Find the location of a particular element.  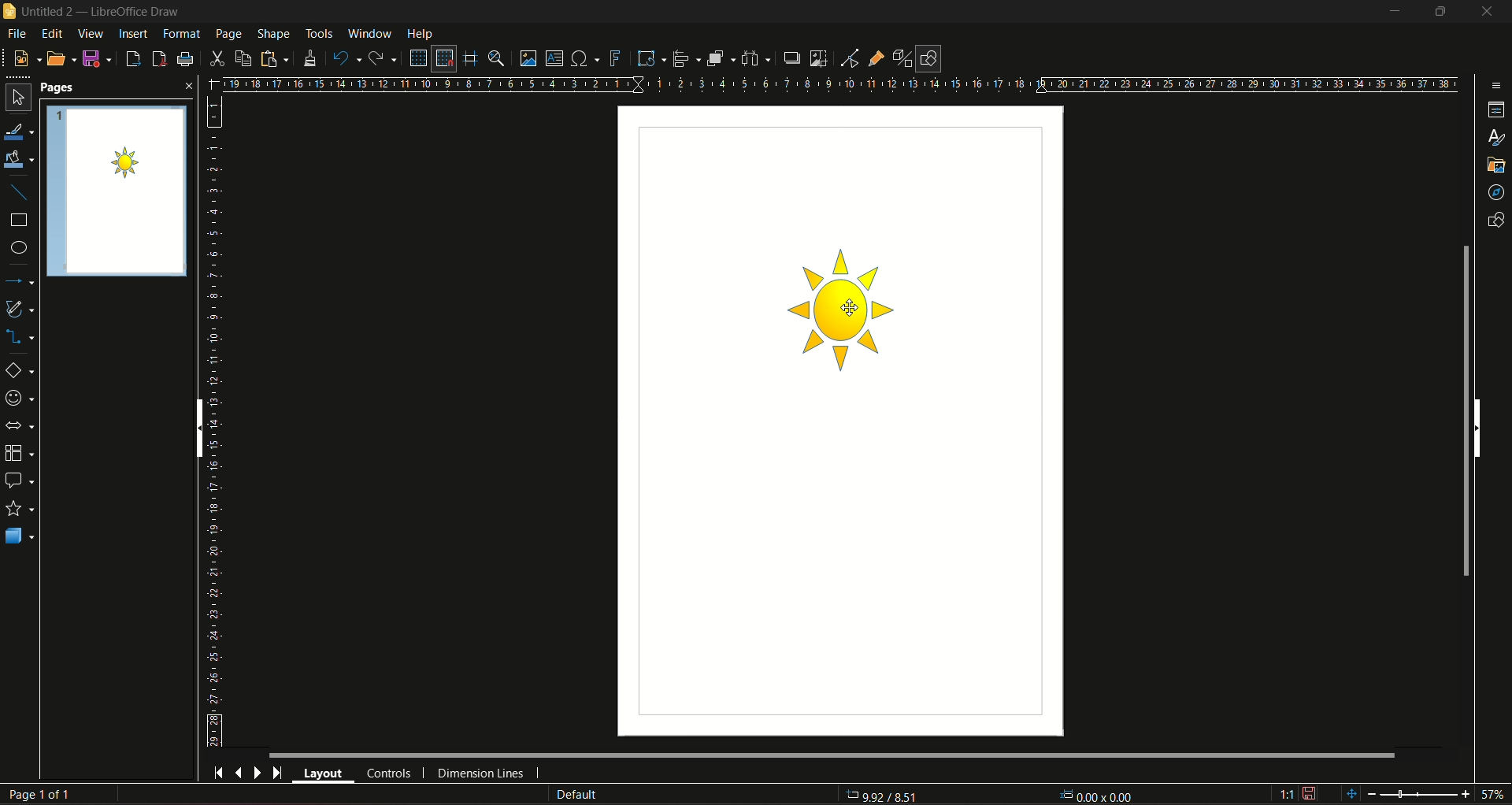

horizontal scroll is located at coordinates (1480, 427).